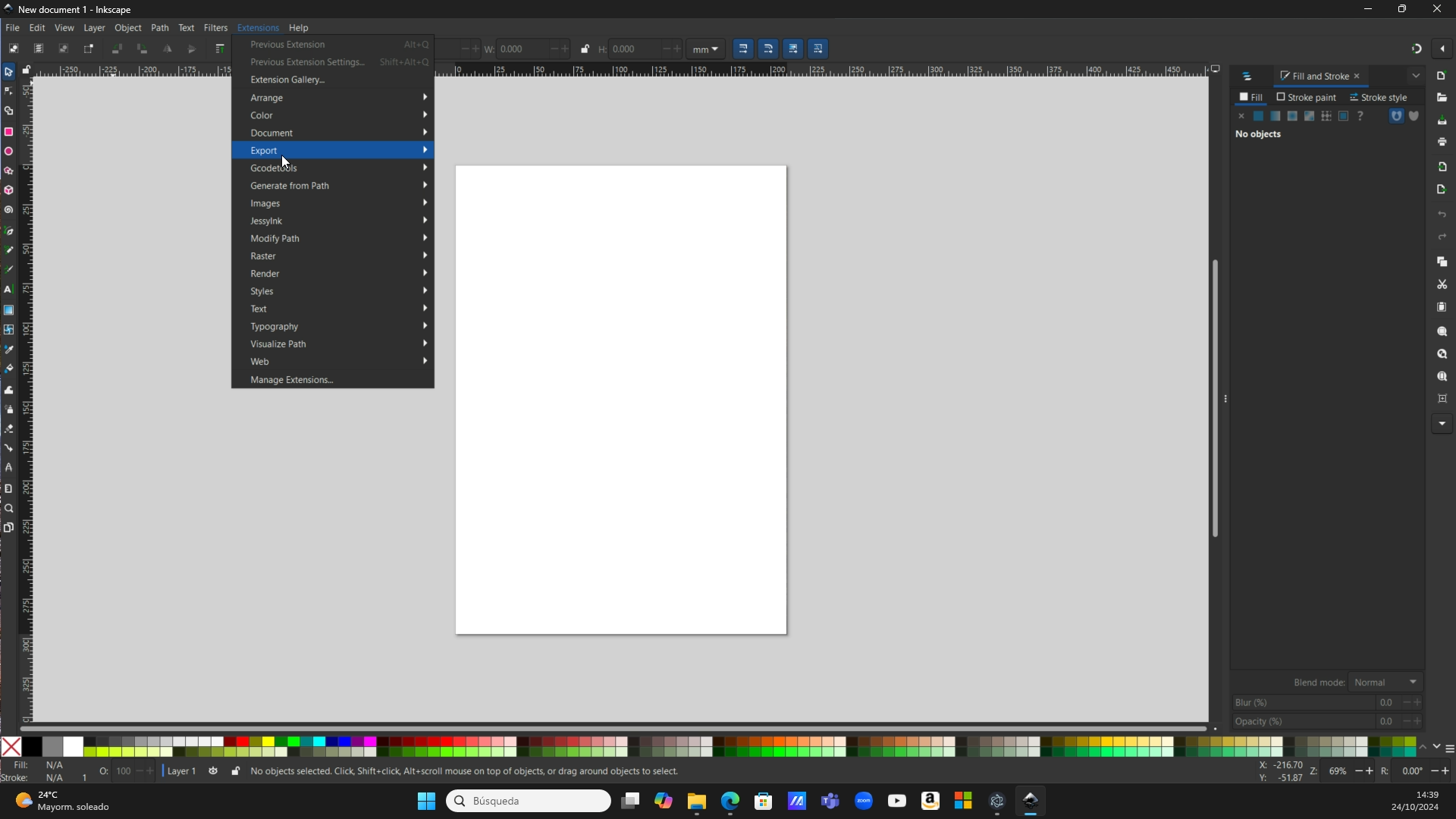 Image resolution: width=1456 pixels, height=819 pixels. I want to click on Layer, so click(96, 29).